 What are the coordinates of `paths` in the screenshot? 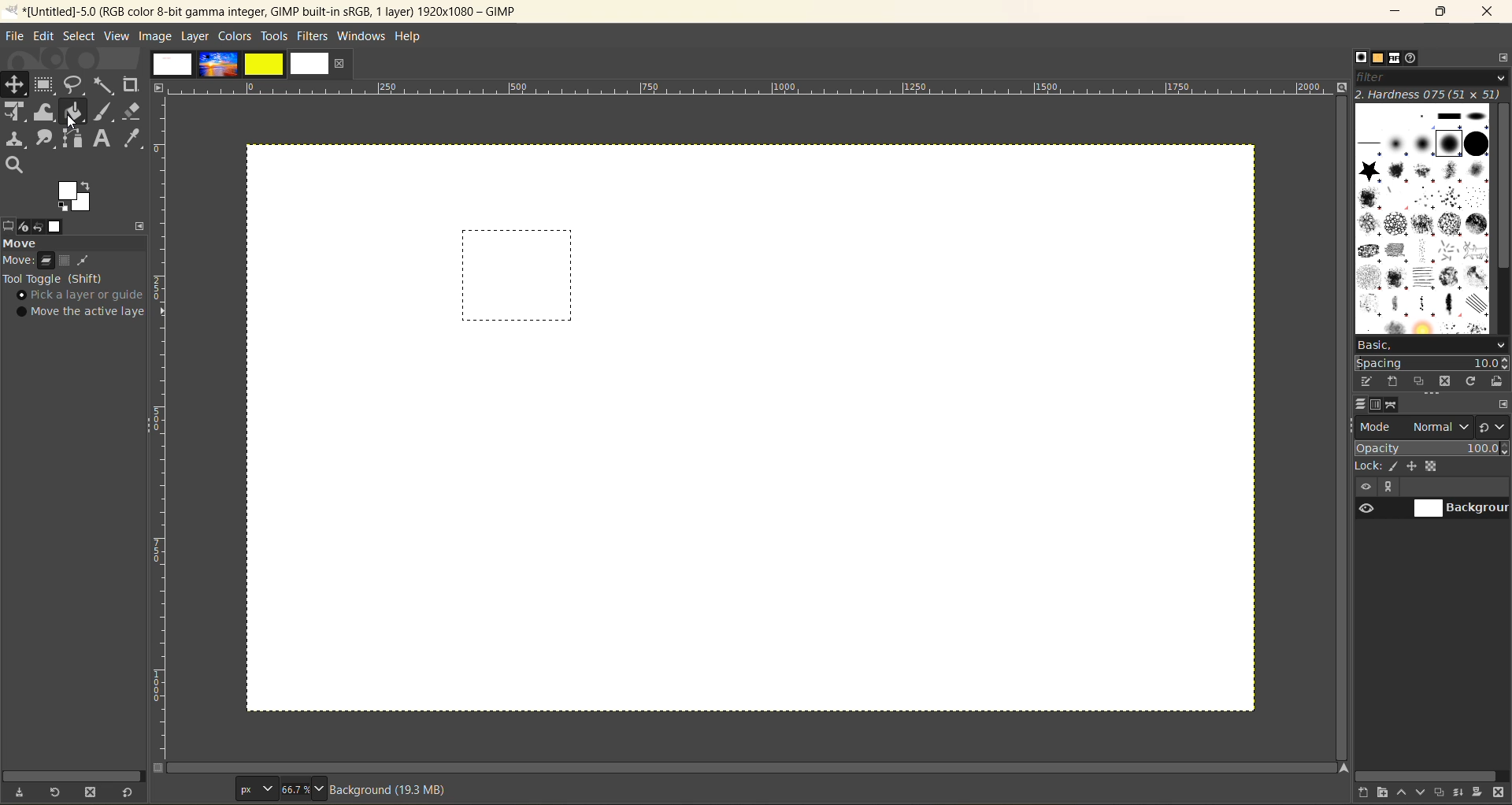 It's located at (1394, 406).